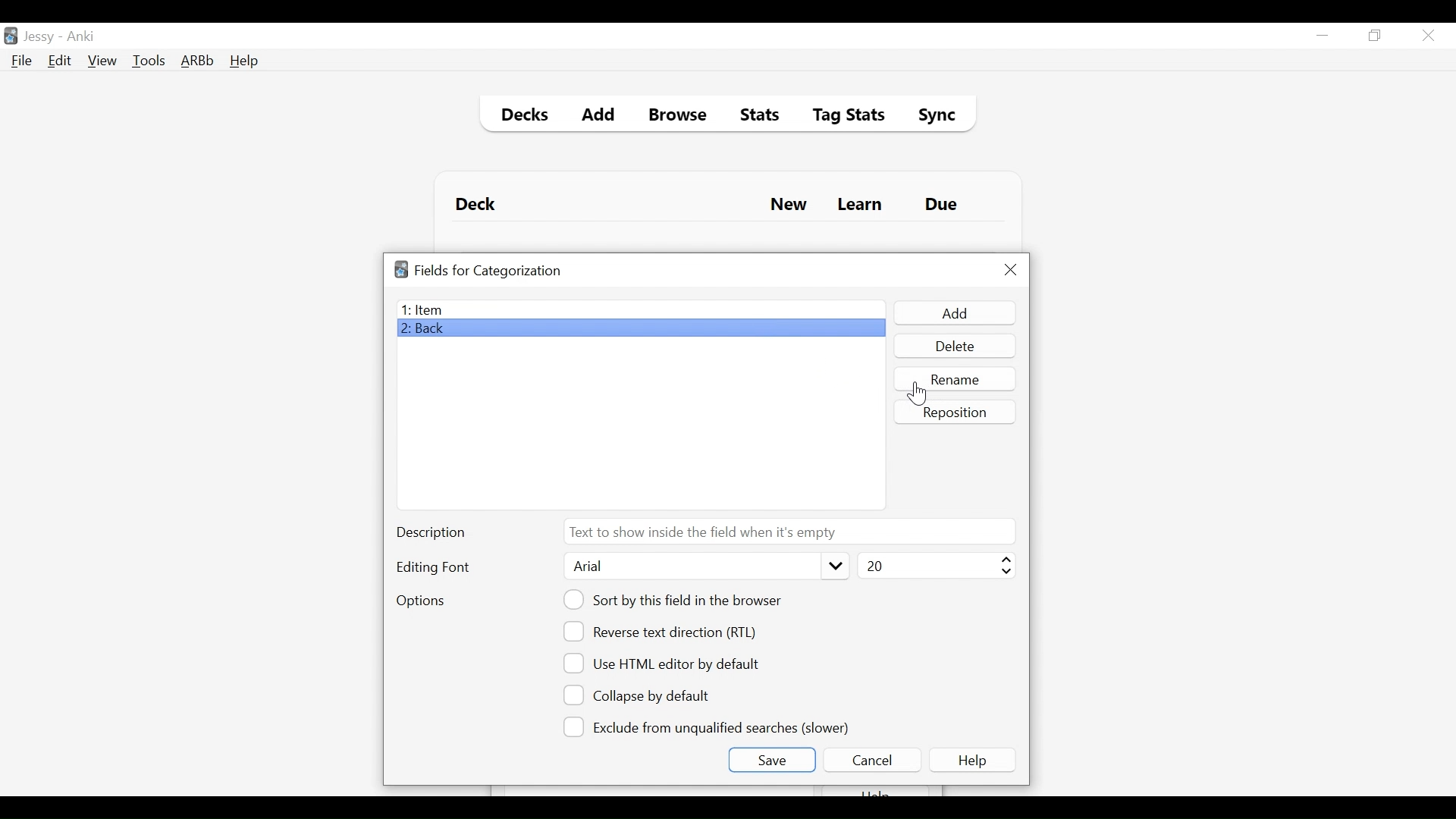 The width and height of the screenshot is (1456, 819). Describe the element at coordinates (709, 726) in the screenshot. I see `(un)select Exclude from unqualified searches` at that location.